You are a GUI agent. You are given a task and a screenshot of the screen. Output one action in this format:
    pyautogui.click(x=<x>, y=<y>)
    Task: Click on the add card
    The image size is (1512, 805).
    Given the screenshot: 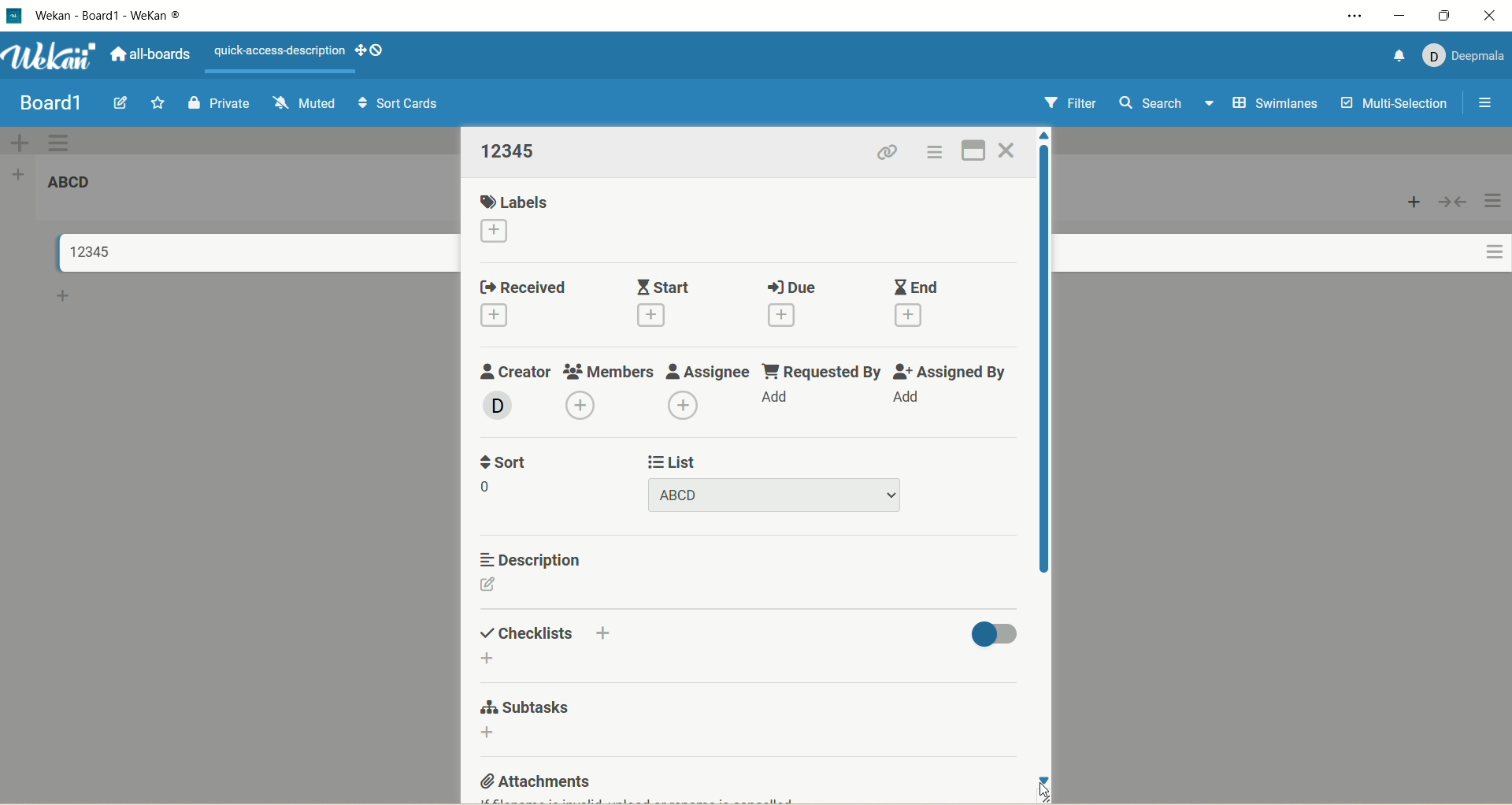 What is the action you would take?
    pyautogui.click(x=1414, y=202)
    